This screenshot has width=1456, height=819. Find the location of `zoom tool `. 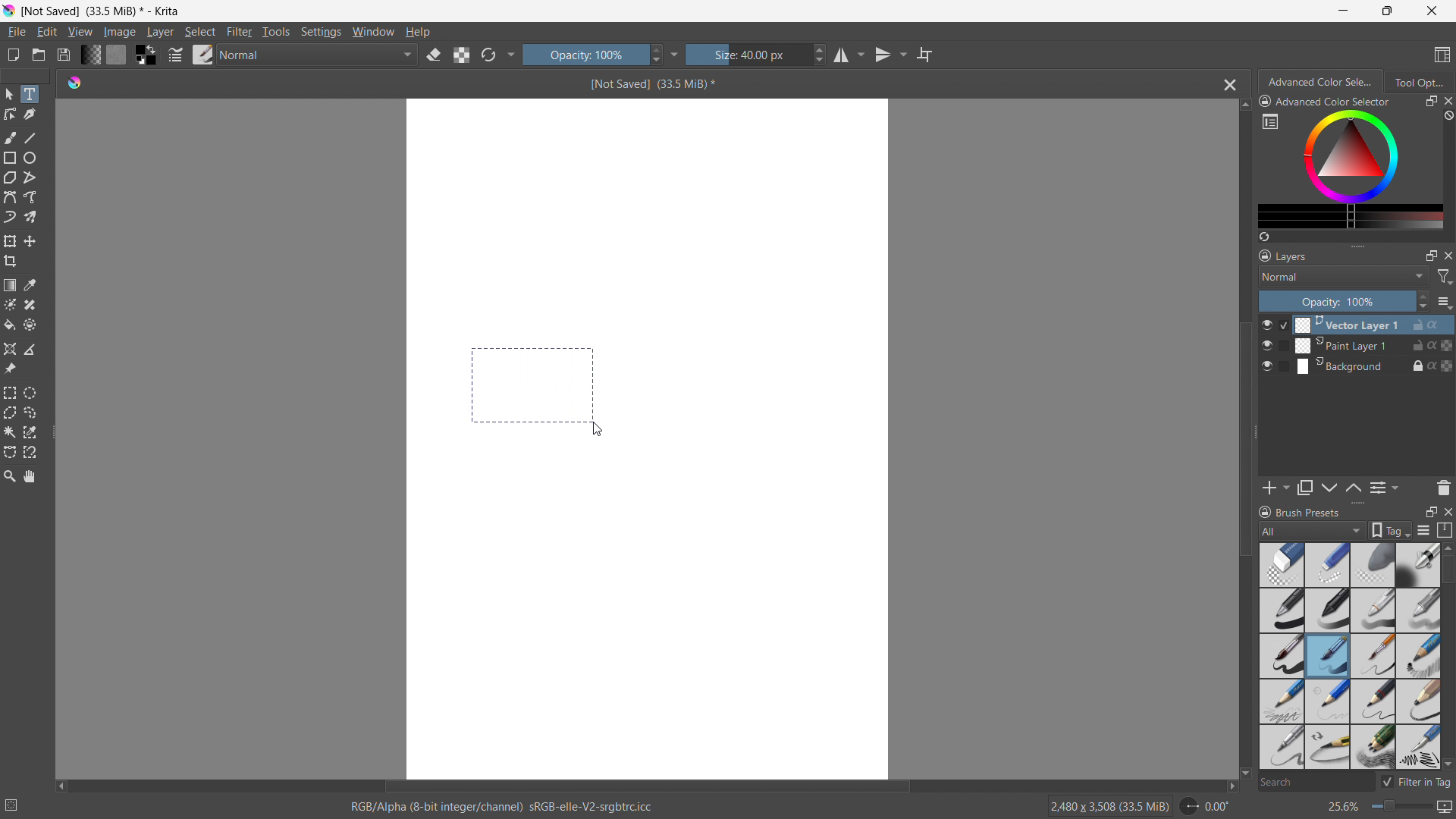

zoom tool  is located at coordinates (9, 475).